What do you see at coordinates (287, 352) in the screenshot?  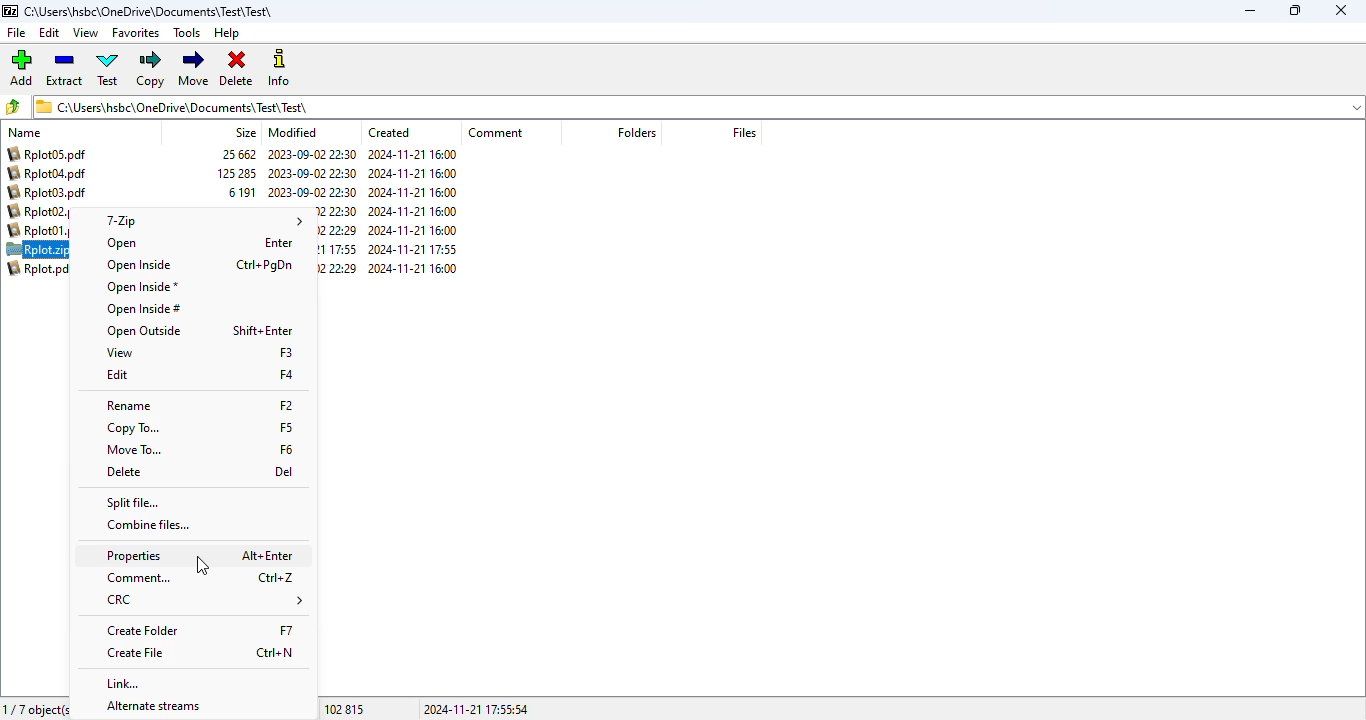 I see `shortcut for view` at bounding box center [287, 352].